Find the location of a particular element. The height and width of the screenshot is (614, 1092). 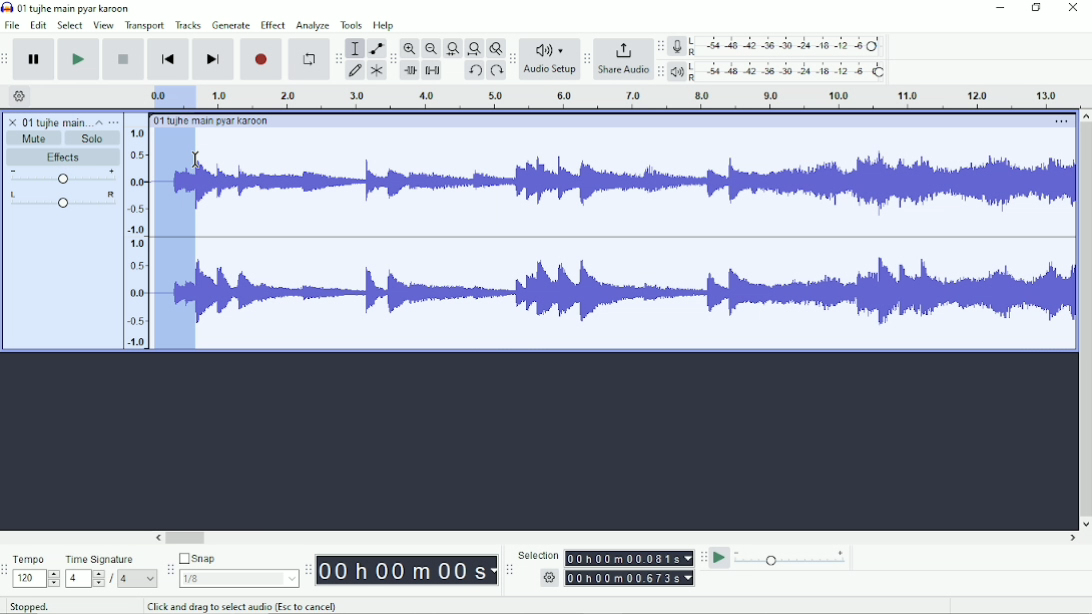

00 h 00 m 00.673s is located at coordinates (632, 577).